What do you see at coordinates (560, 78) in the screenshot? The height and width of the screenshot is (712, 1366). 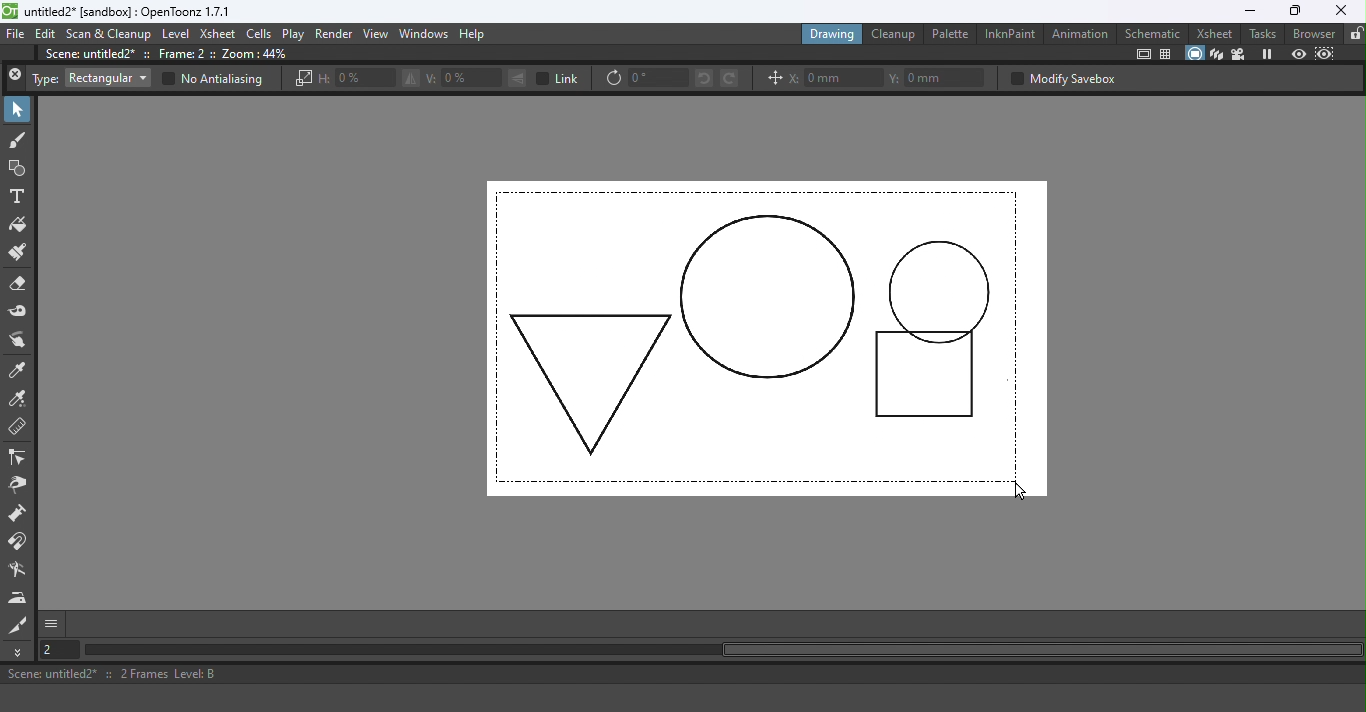 I see `Link` at bounding box center [560, 78].